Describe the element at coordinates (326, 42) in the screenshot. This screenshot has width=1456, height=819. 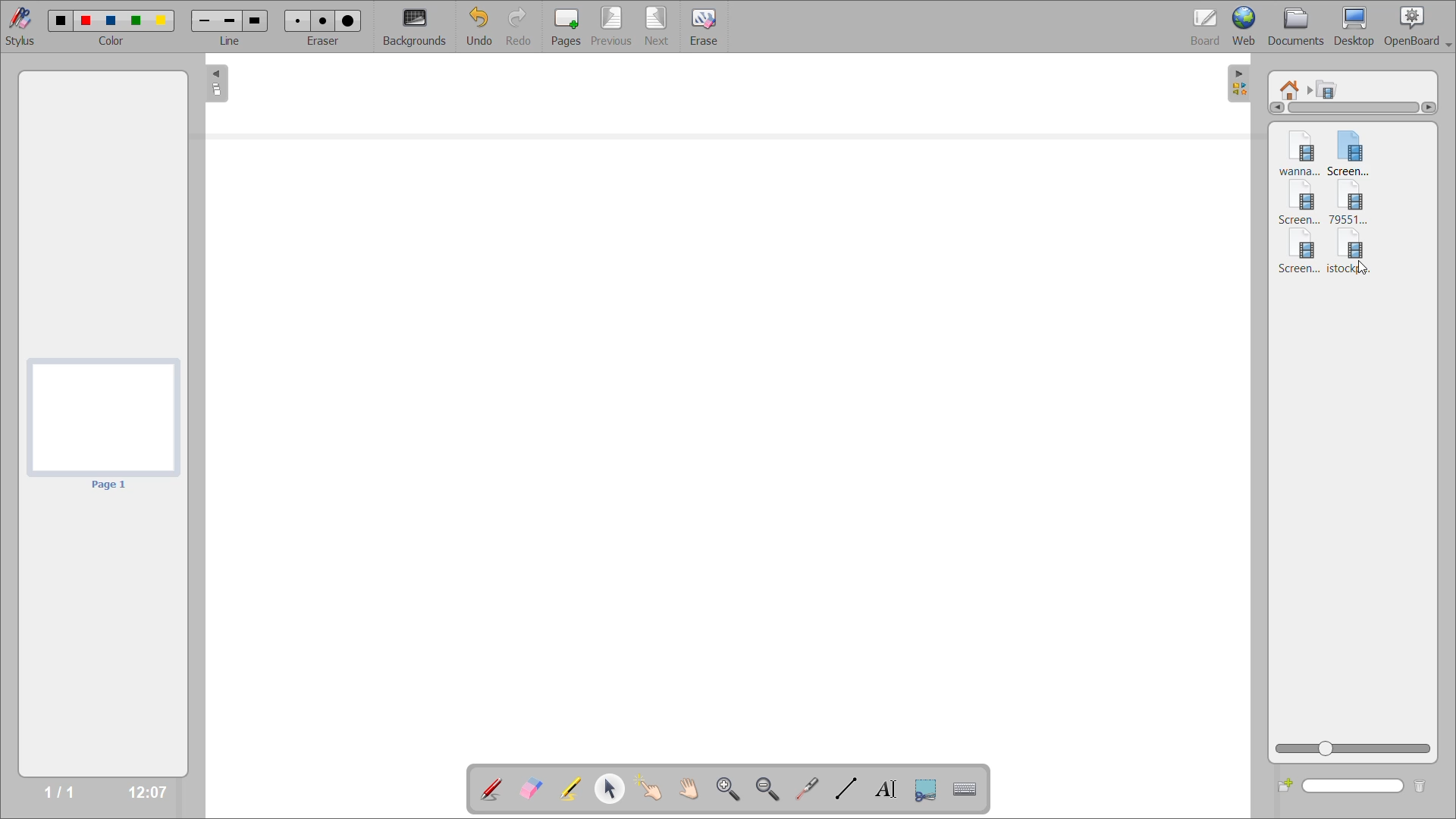
I see `eraser ` at that location.